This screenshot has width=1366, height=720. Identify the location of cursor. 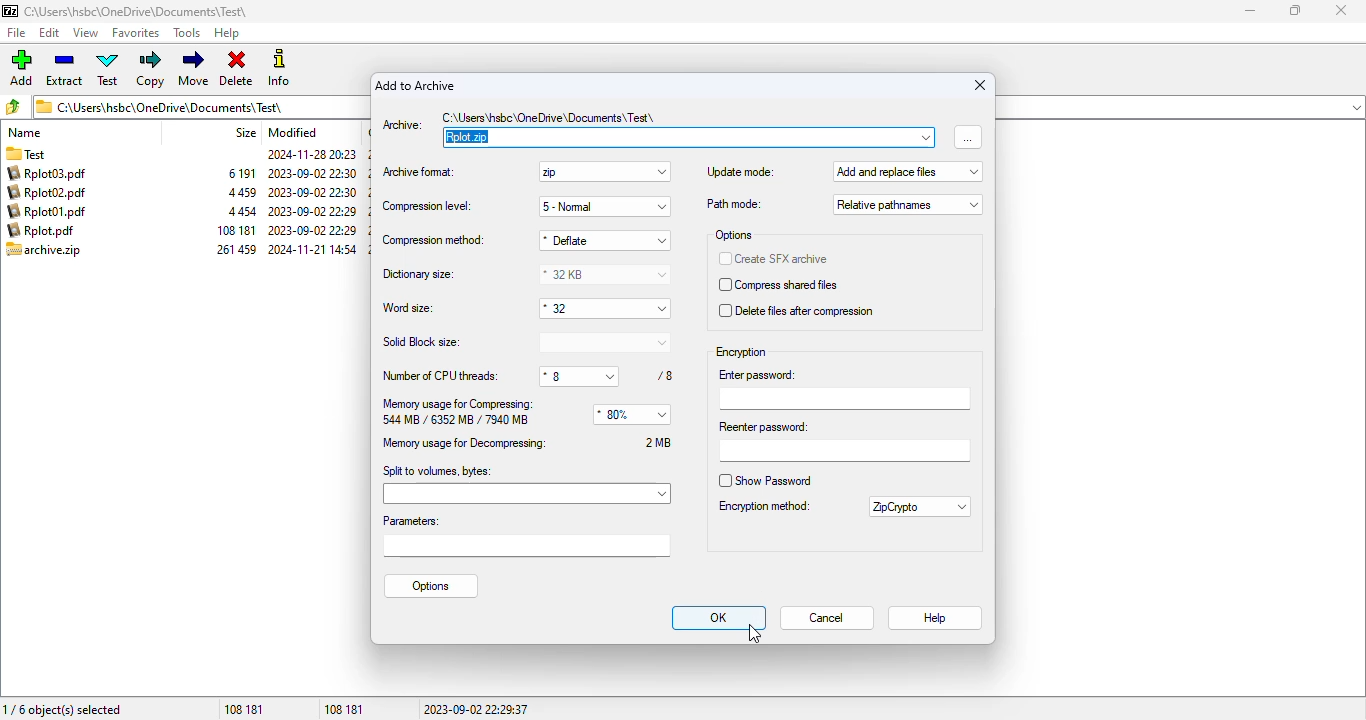
(754, 634).